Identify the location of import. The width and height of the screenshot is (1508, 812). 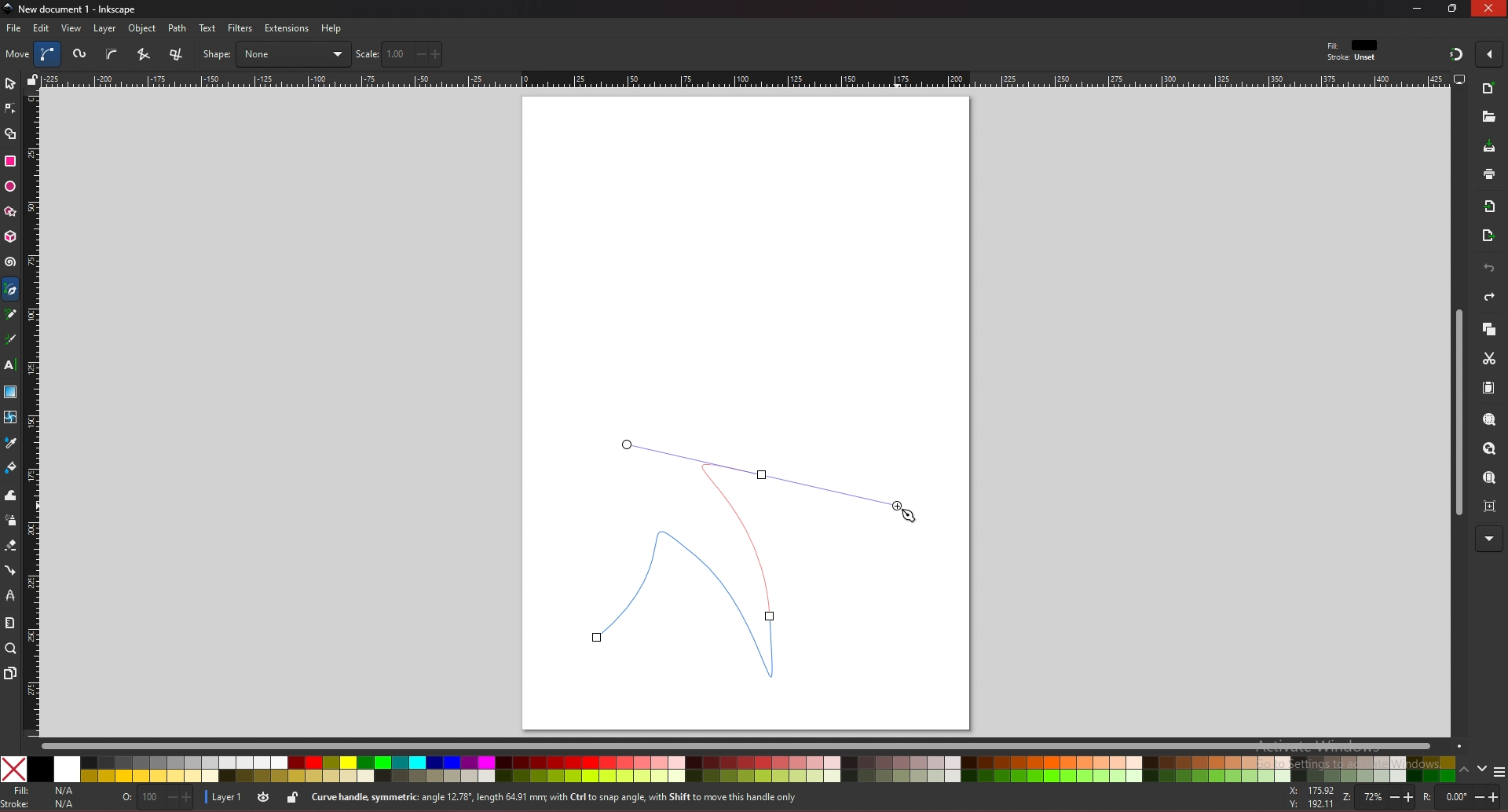
(1493, 207).